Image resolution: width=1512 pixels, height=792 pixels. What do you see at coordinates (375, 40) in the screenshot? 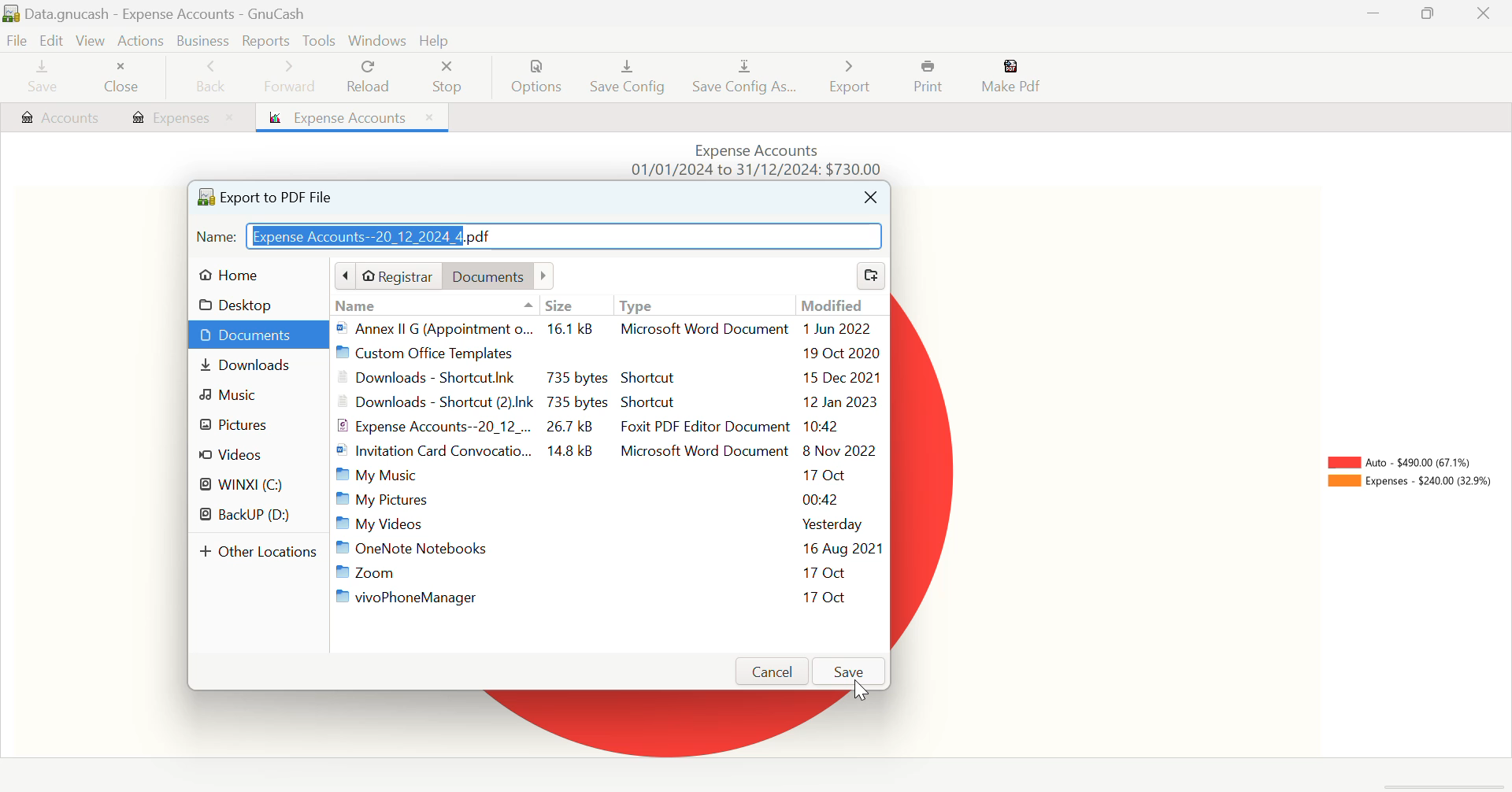
I see `Windows` at bounding box center [375, 40].